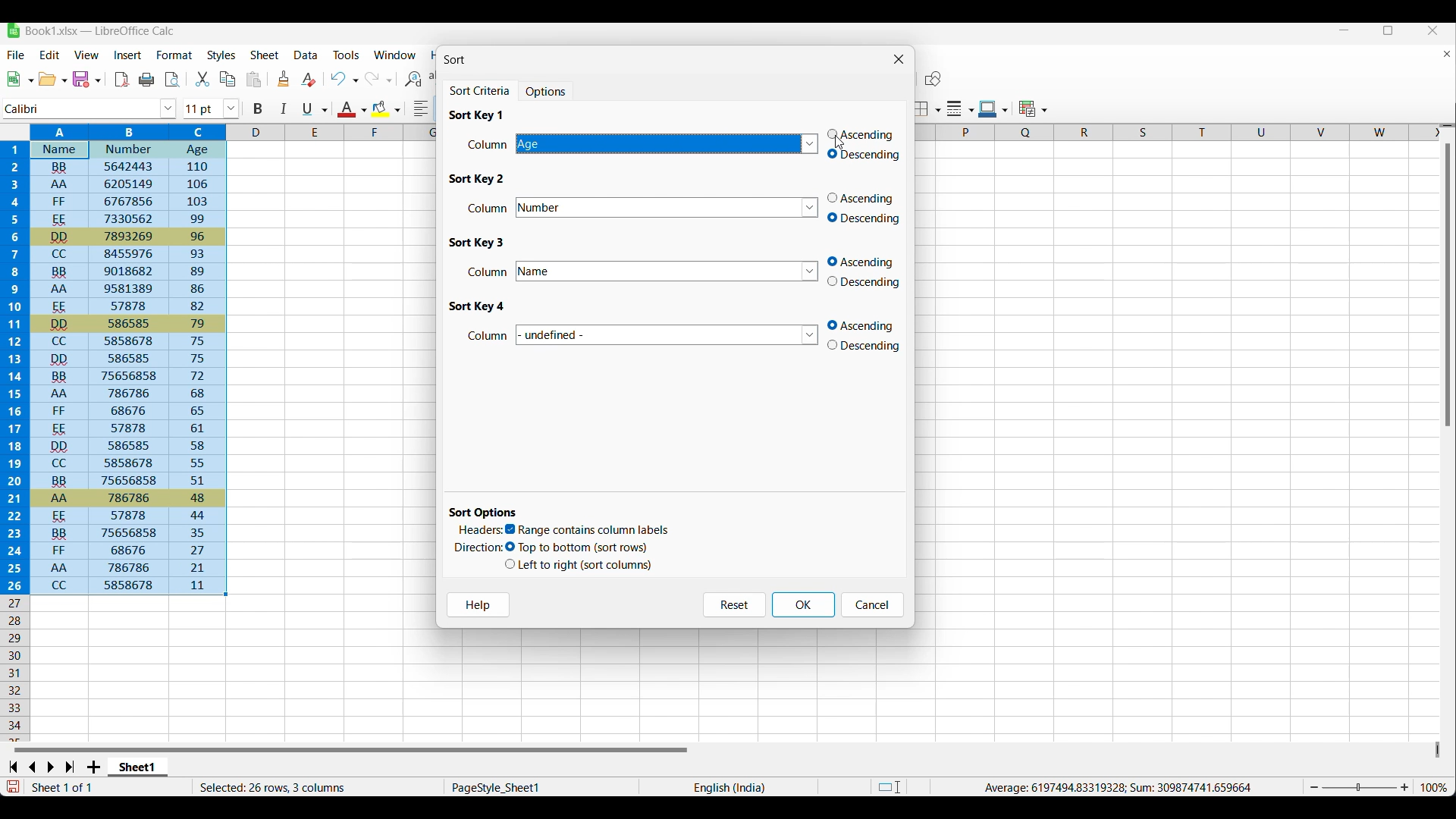  I want to click on ascending, so click(867, 325).